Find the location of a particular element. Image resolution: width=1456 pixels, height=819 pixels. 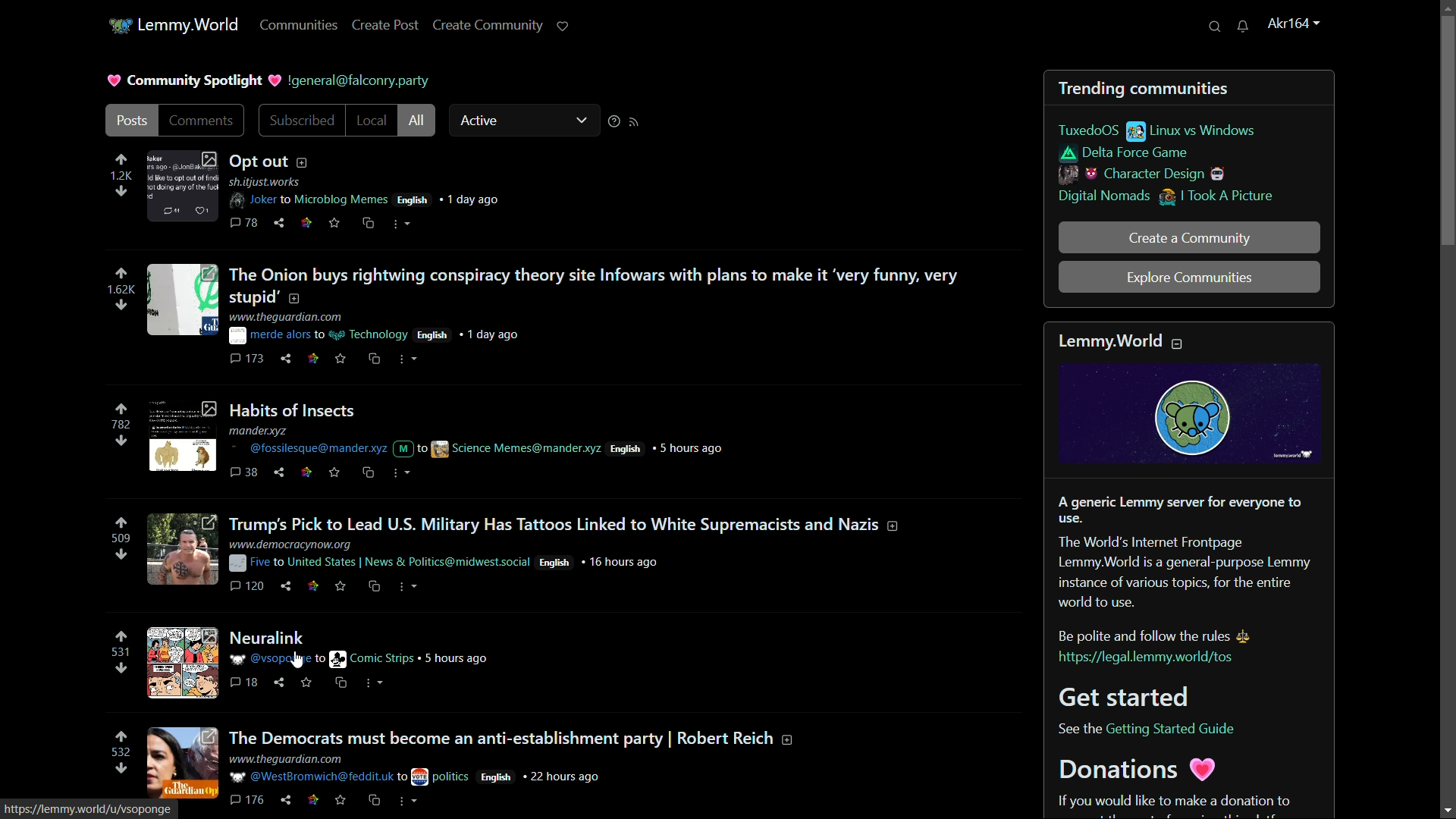

link is located at coordinates (314, 357).